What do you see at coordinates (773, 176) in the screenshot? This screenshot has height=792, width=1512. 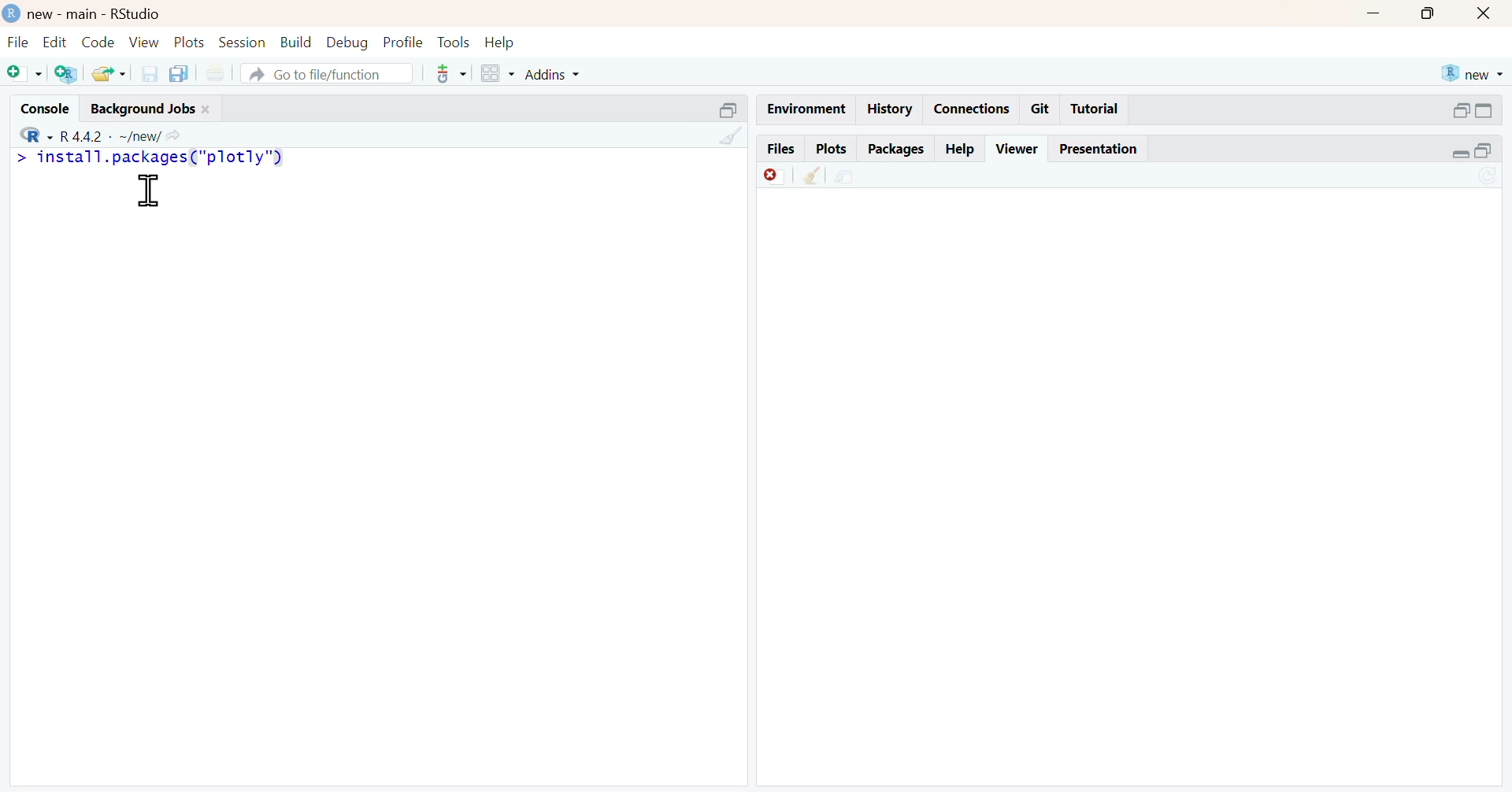 I see `remove current viewer item` at bounding box center [773, 176].